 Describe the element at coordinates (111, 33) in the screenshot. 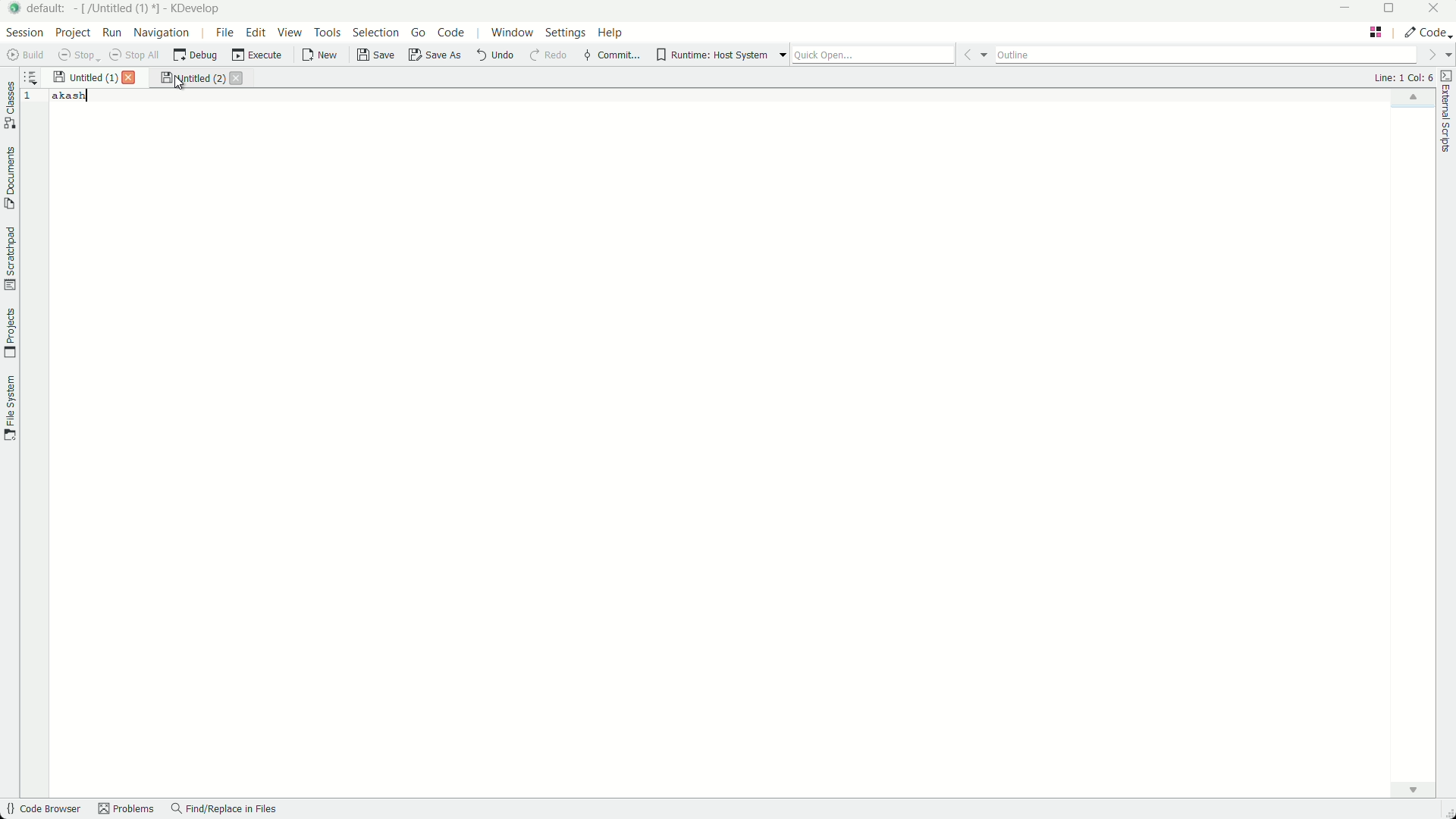

I see `run menu` at that location.